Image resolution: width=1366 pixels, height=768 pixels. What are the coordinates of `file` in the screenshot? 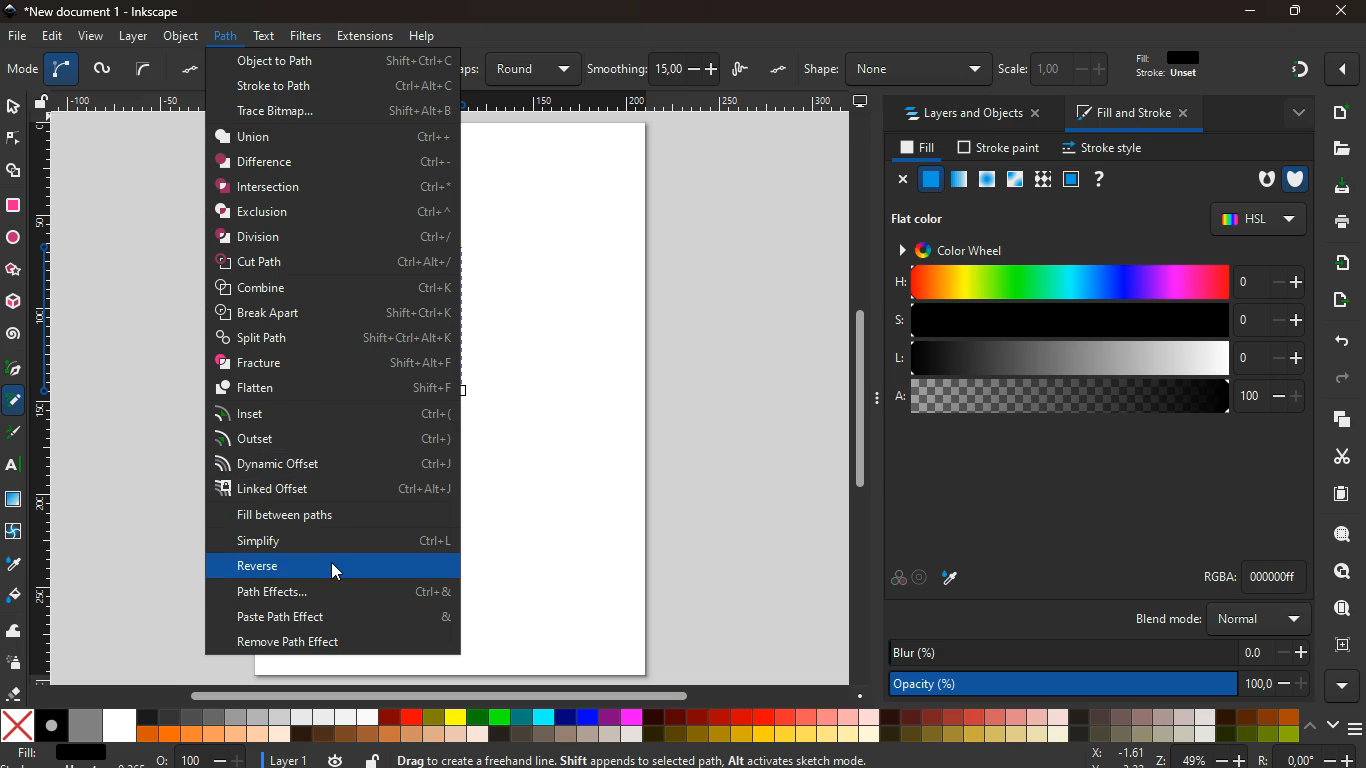 It's located at (18, 37).